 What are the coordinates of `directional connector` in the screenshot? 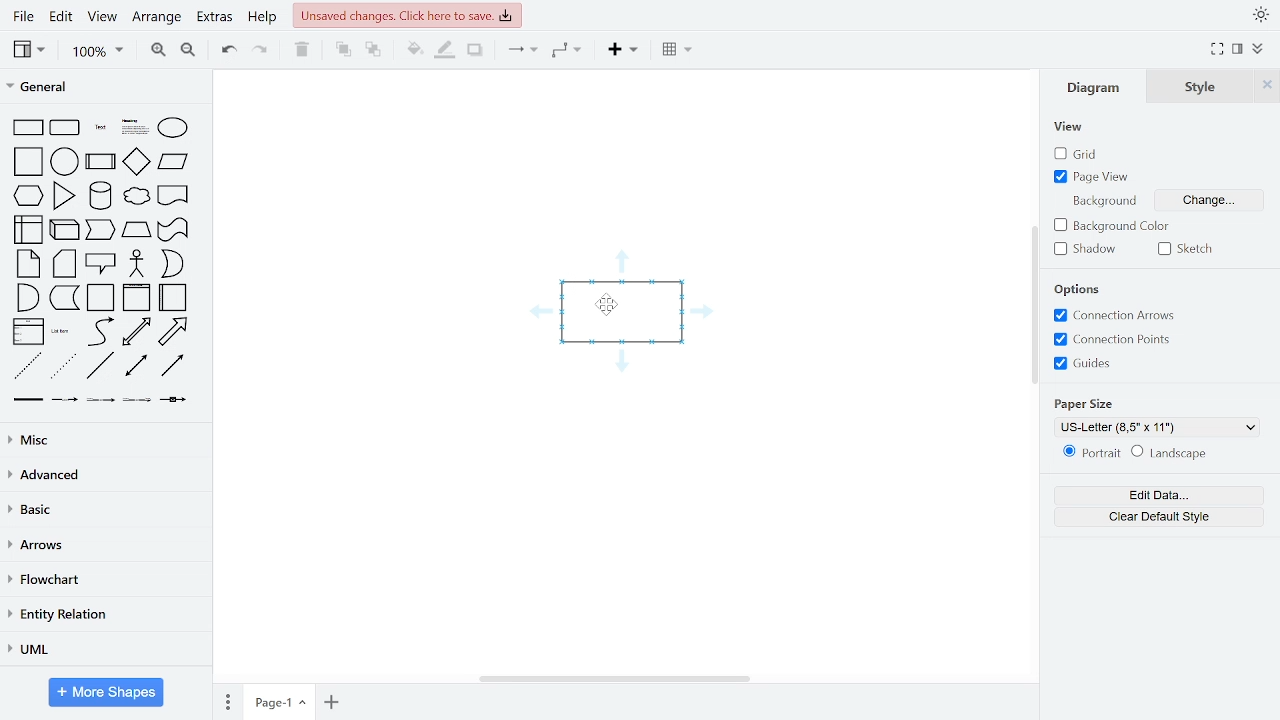 It's located at (170, 367).